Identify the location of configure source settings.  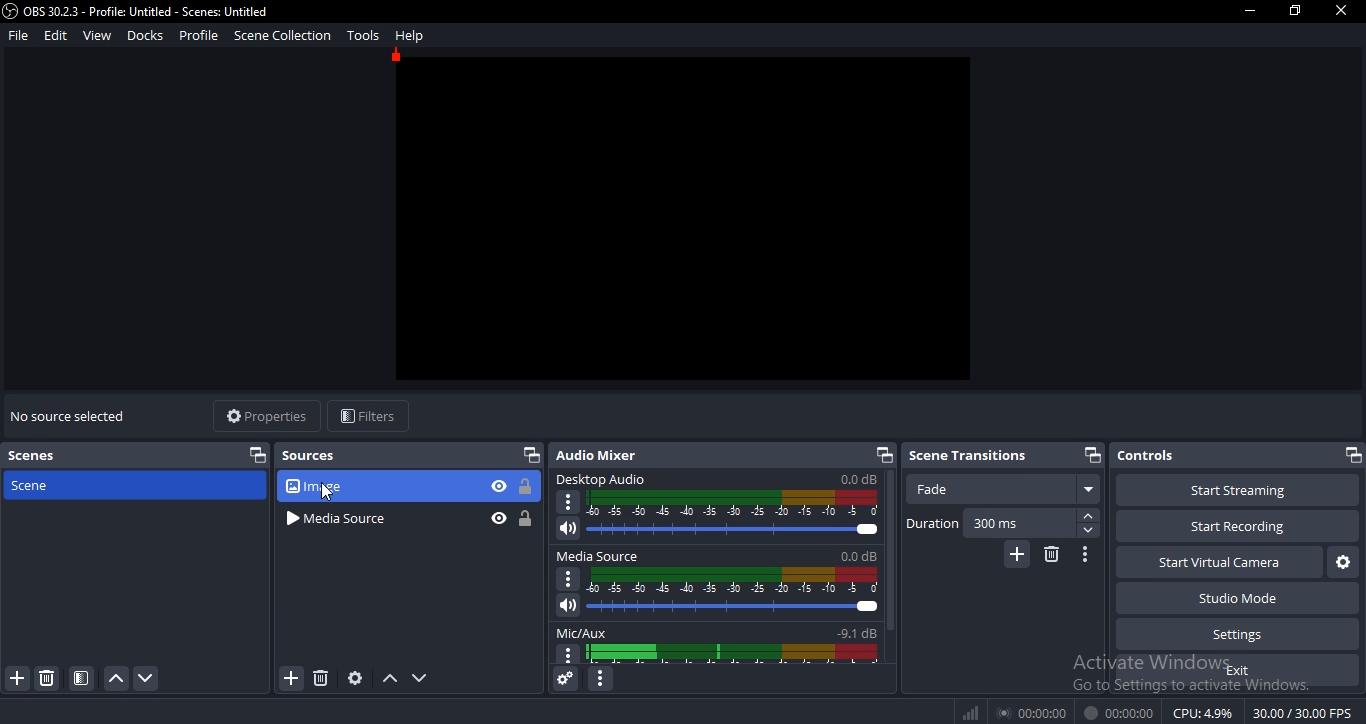
(354, 678).